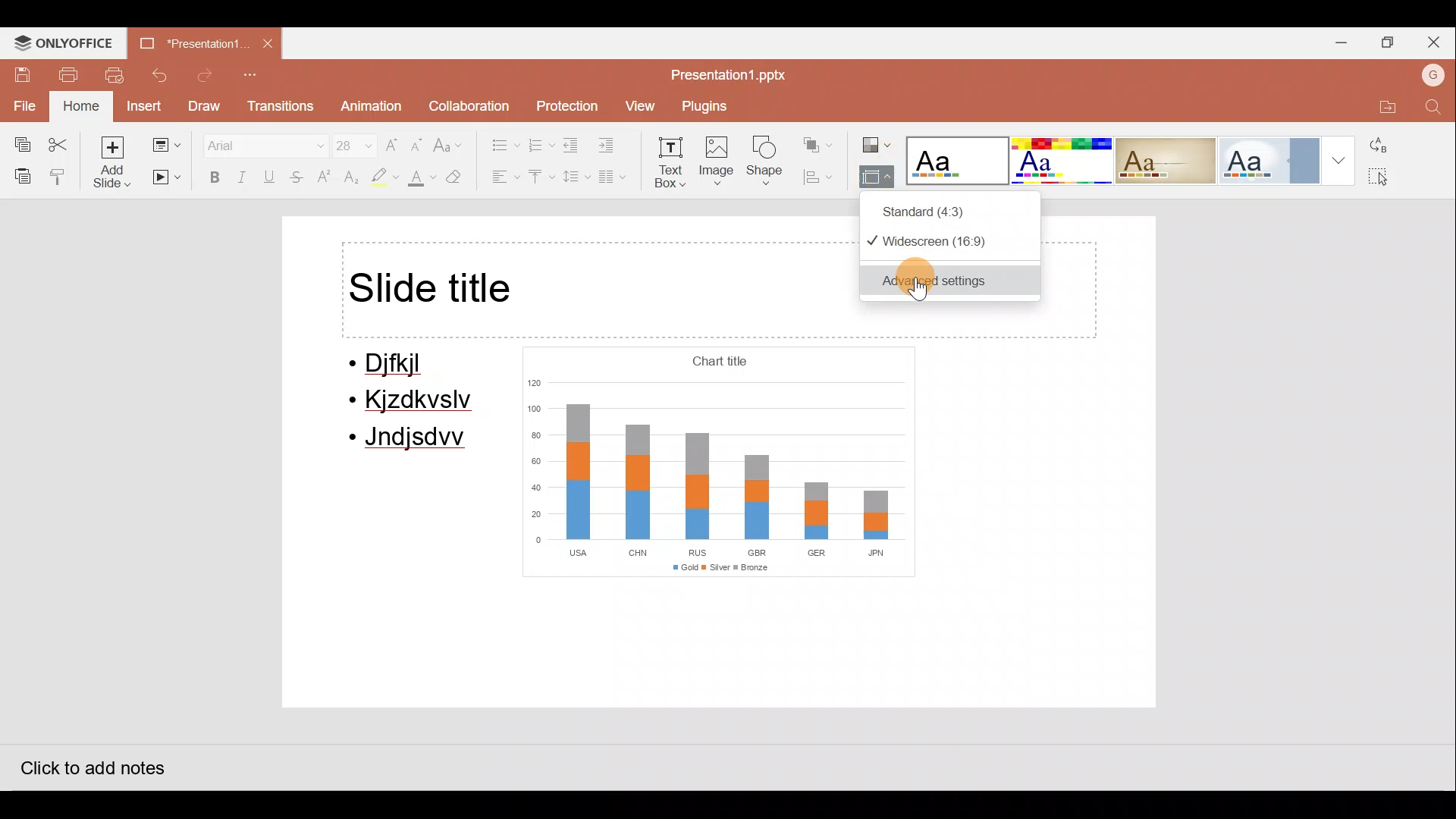 Image resolution: width=1456 pixels, height=819 pixels. What do you see at coordinates (574, 177) in the screenshot?
I see `Line spacing` at bounding box center [574, 177].